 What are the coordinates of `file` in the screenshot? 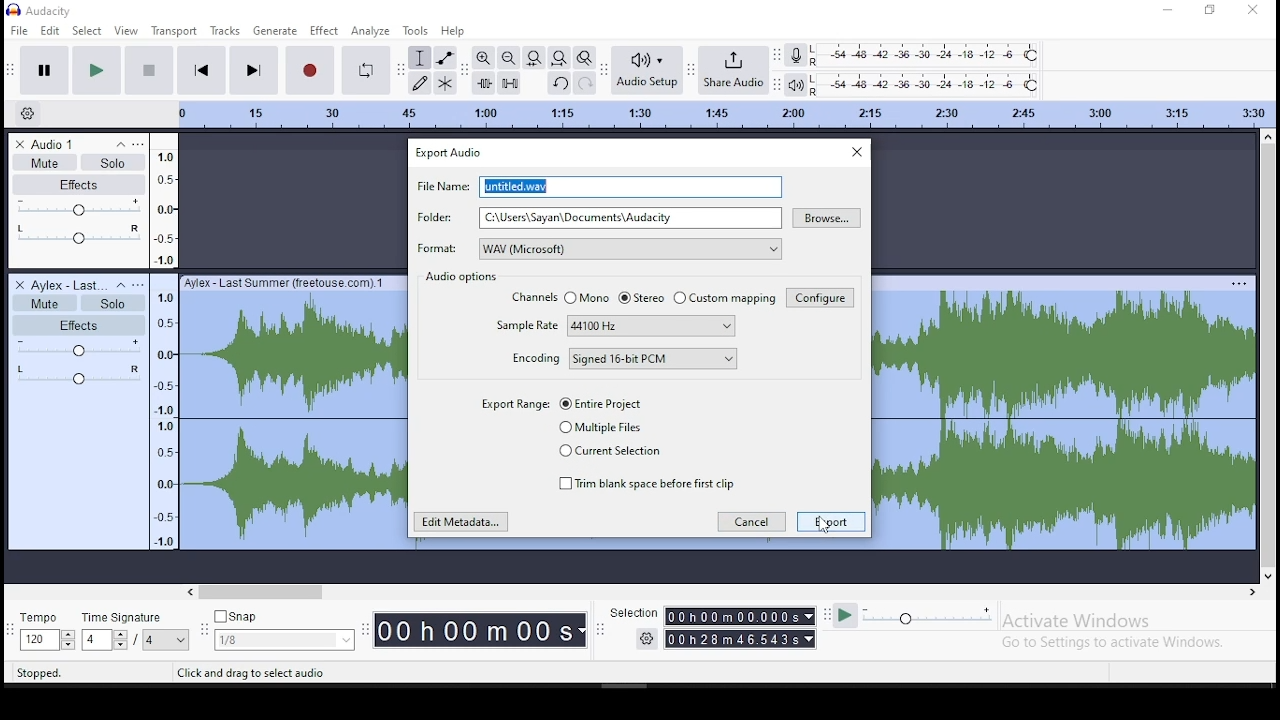 It's located at (18, 30).